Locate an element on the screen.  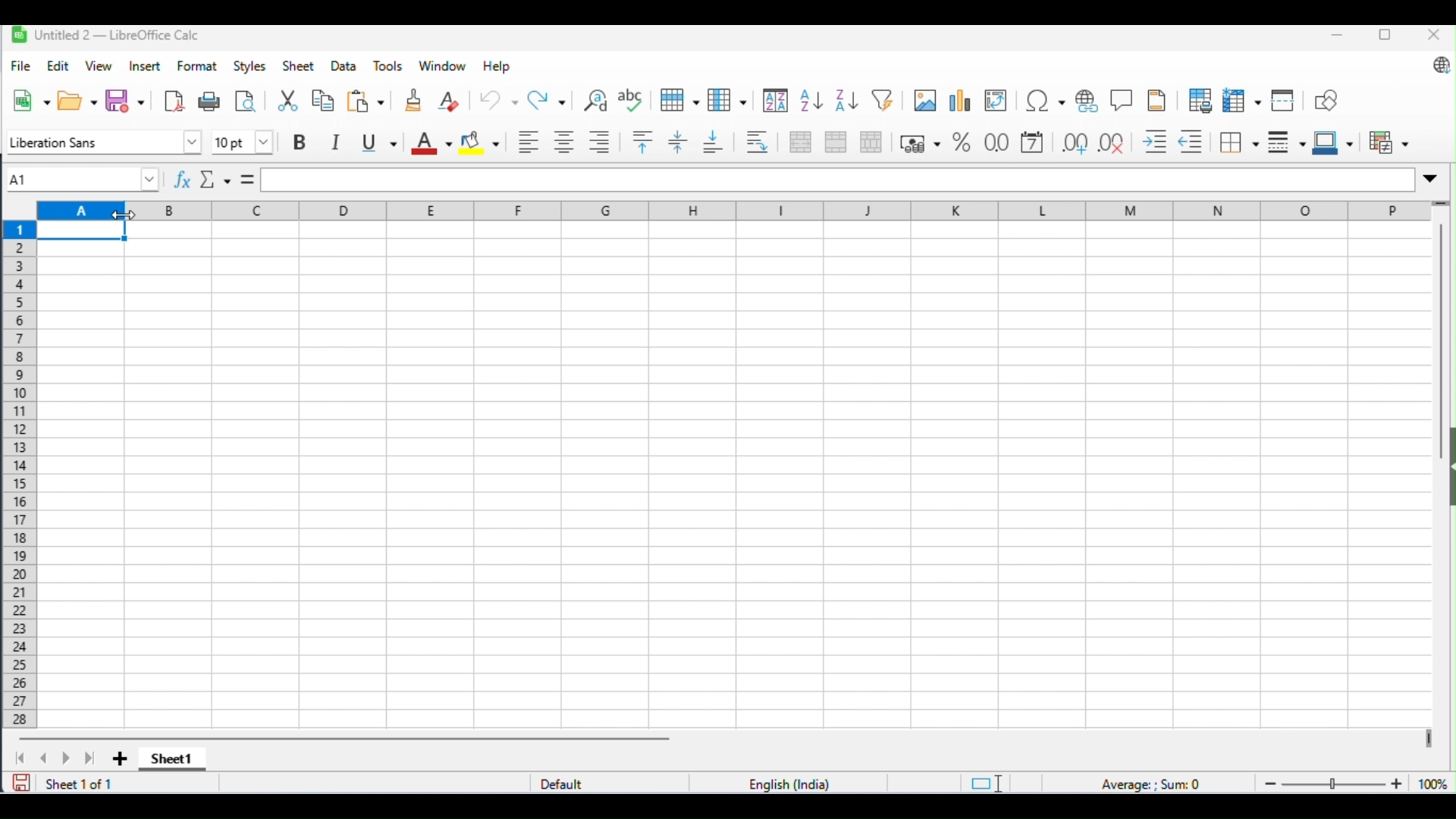
= is located at coordinates (246, 177).